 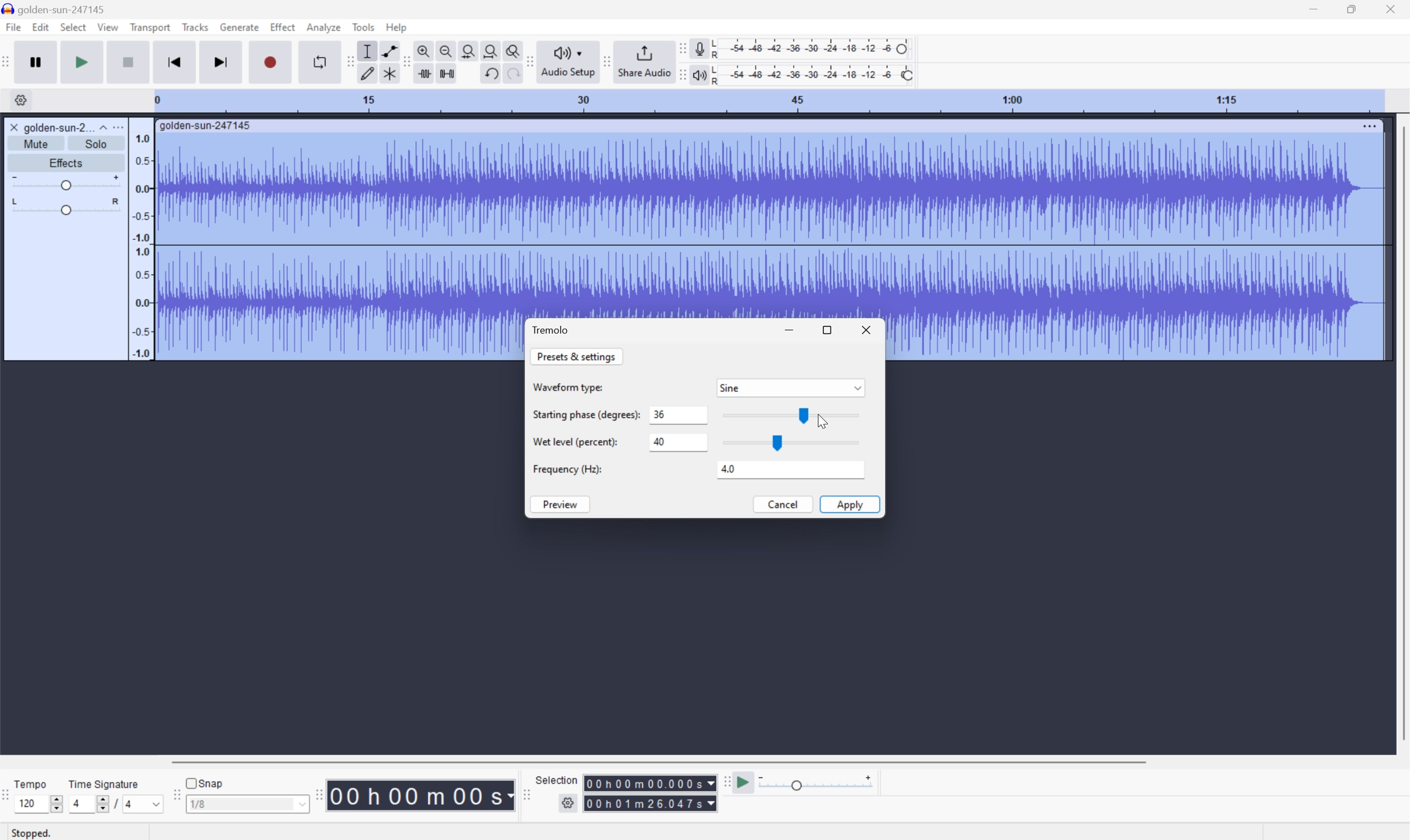 I want to click on Audacity Snapping toolbar, so click(x=176, y=796).